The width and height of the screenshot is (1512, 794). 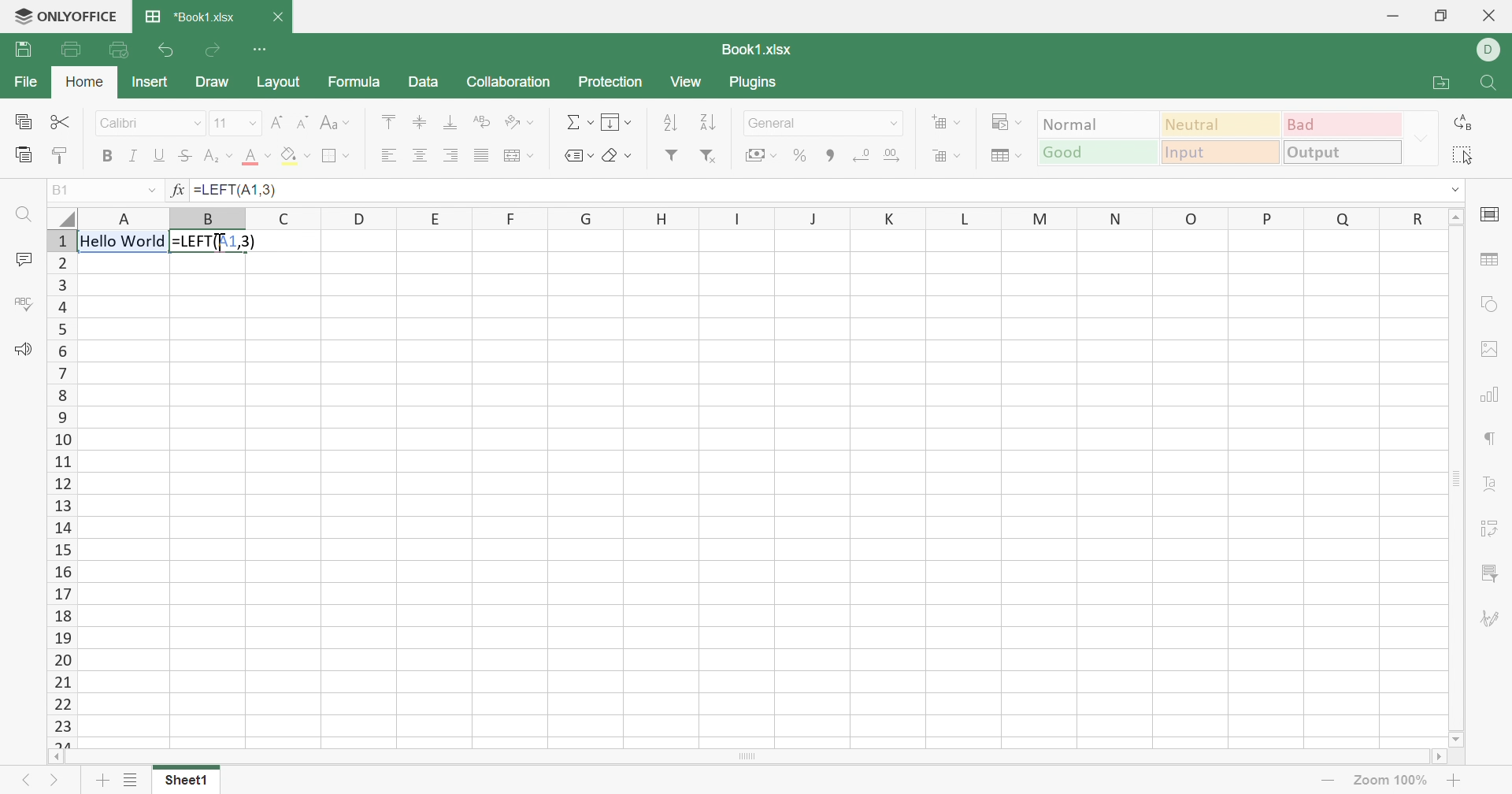 I want to click on ONLYOFFICE, so click(x=65, y=15).